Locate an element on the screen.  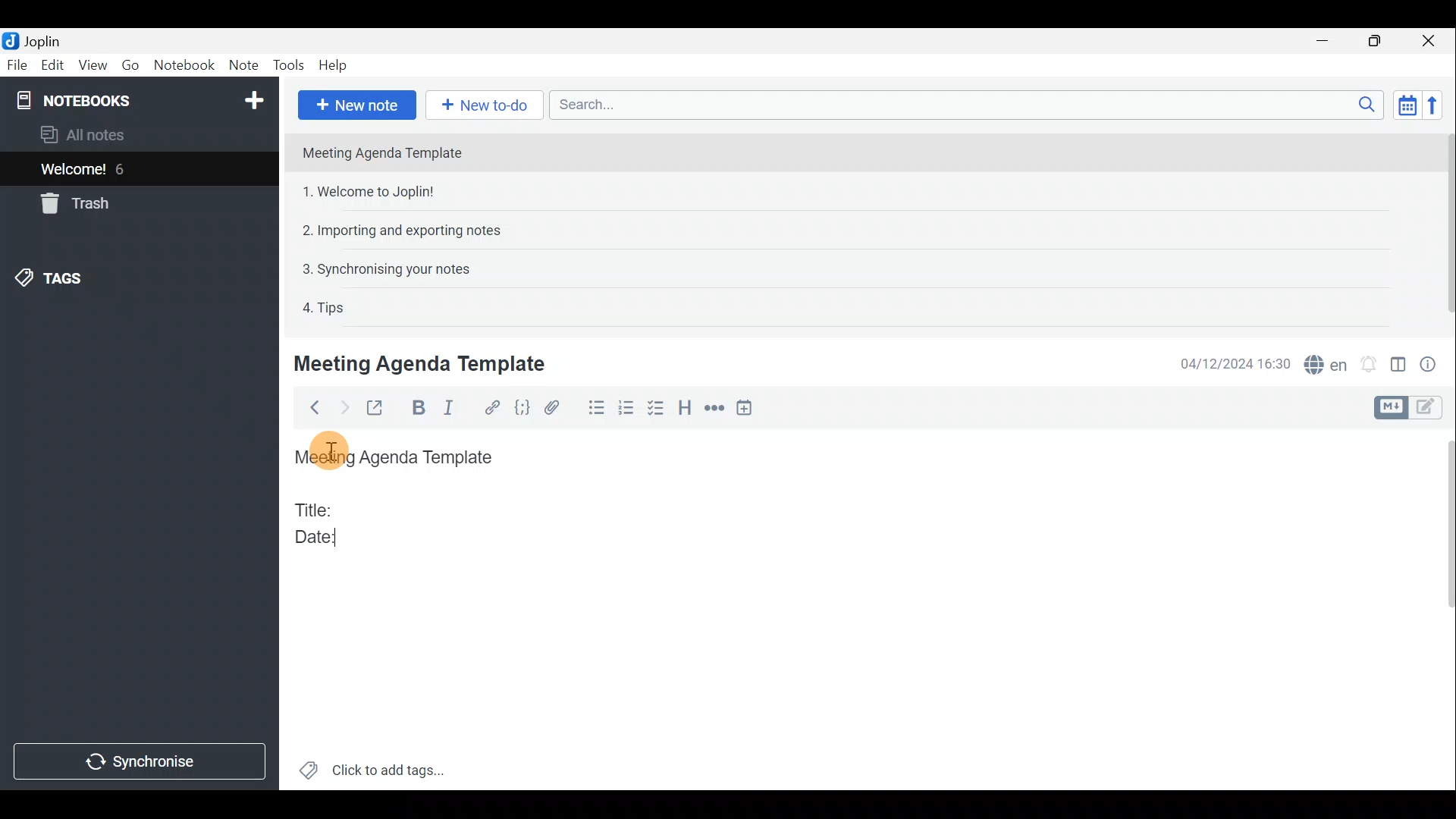
Italic is located at coordinates (454, 409).